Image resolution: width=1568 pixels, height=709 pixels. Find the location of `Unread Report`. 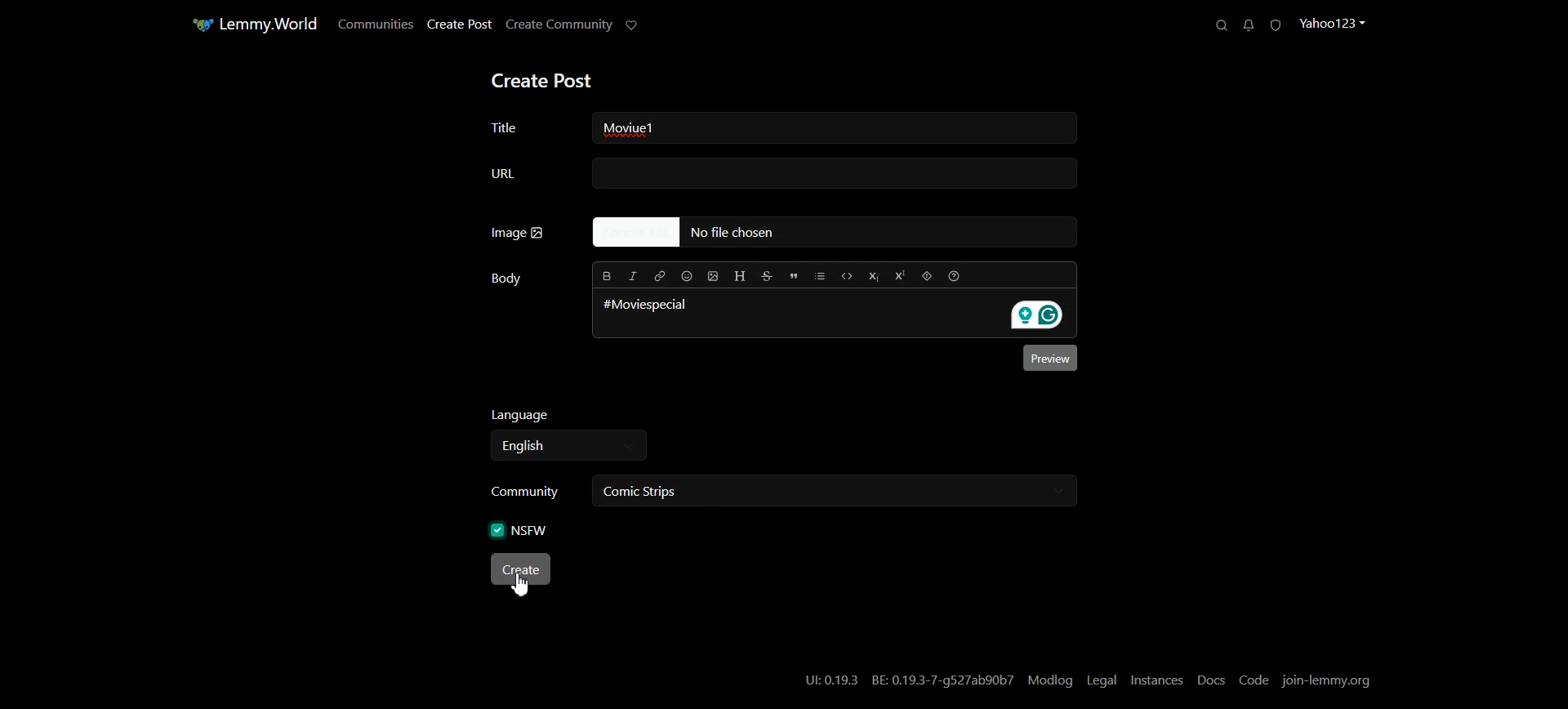

Unread Report is located at coordinates (1273, 24).